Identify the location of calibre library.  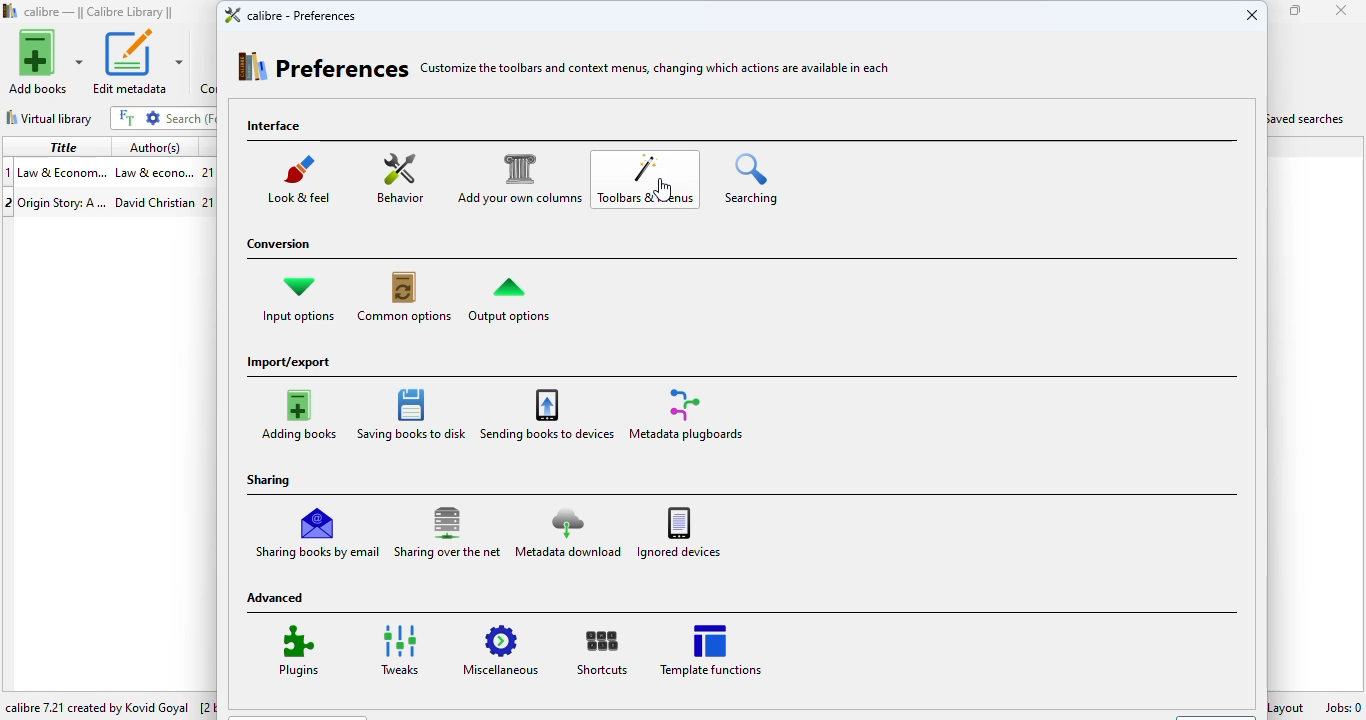
(100, 12).